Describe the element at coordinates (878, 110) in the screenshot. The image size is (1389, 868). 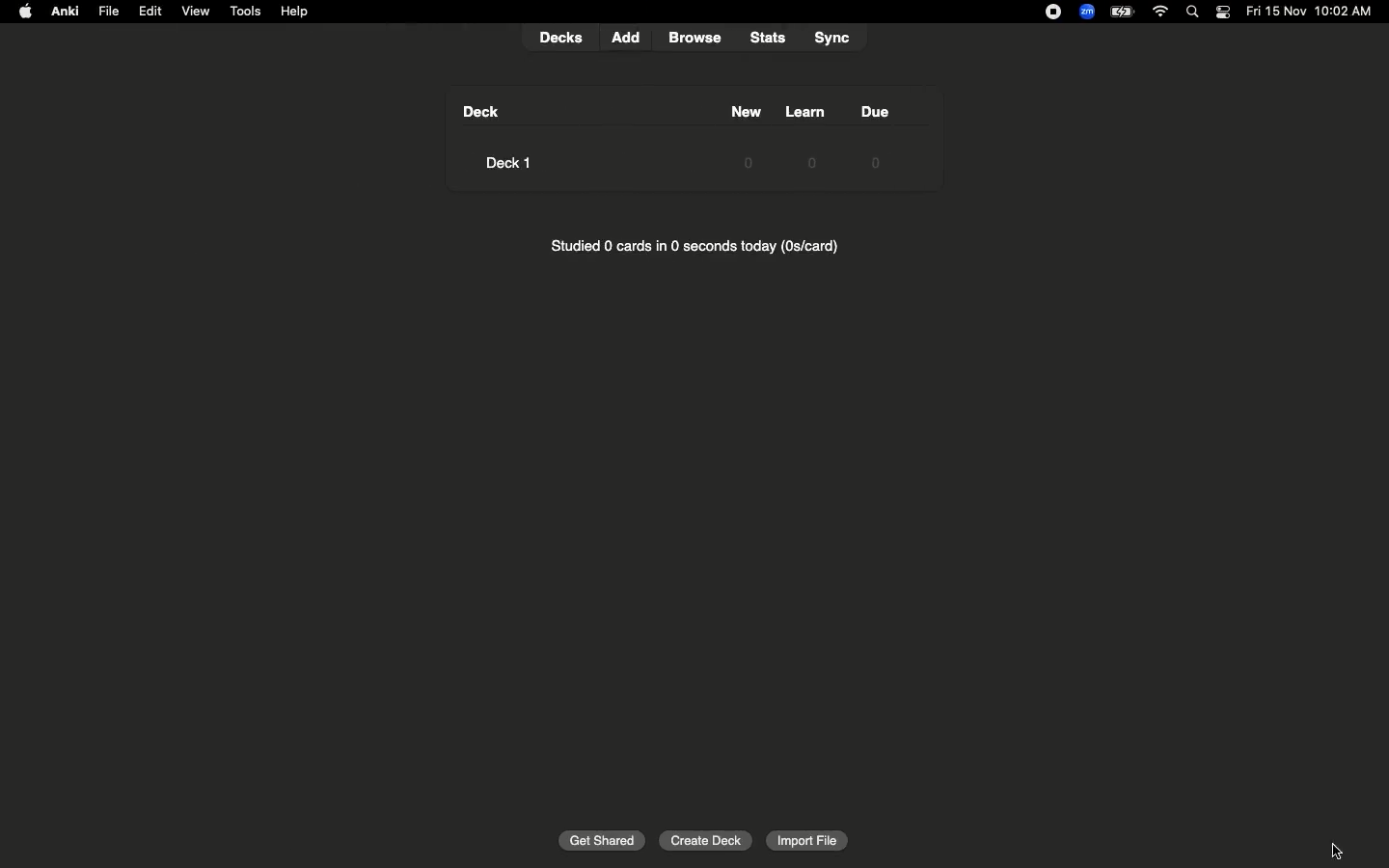
I see `Due` at that location.